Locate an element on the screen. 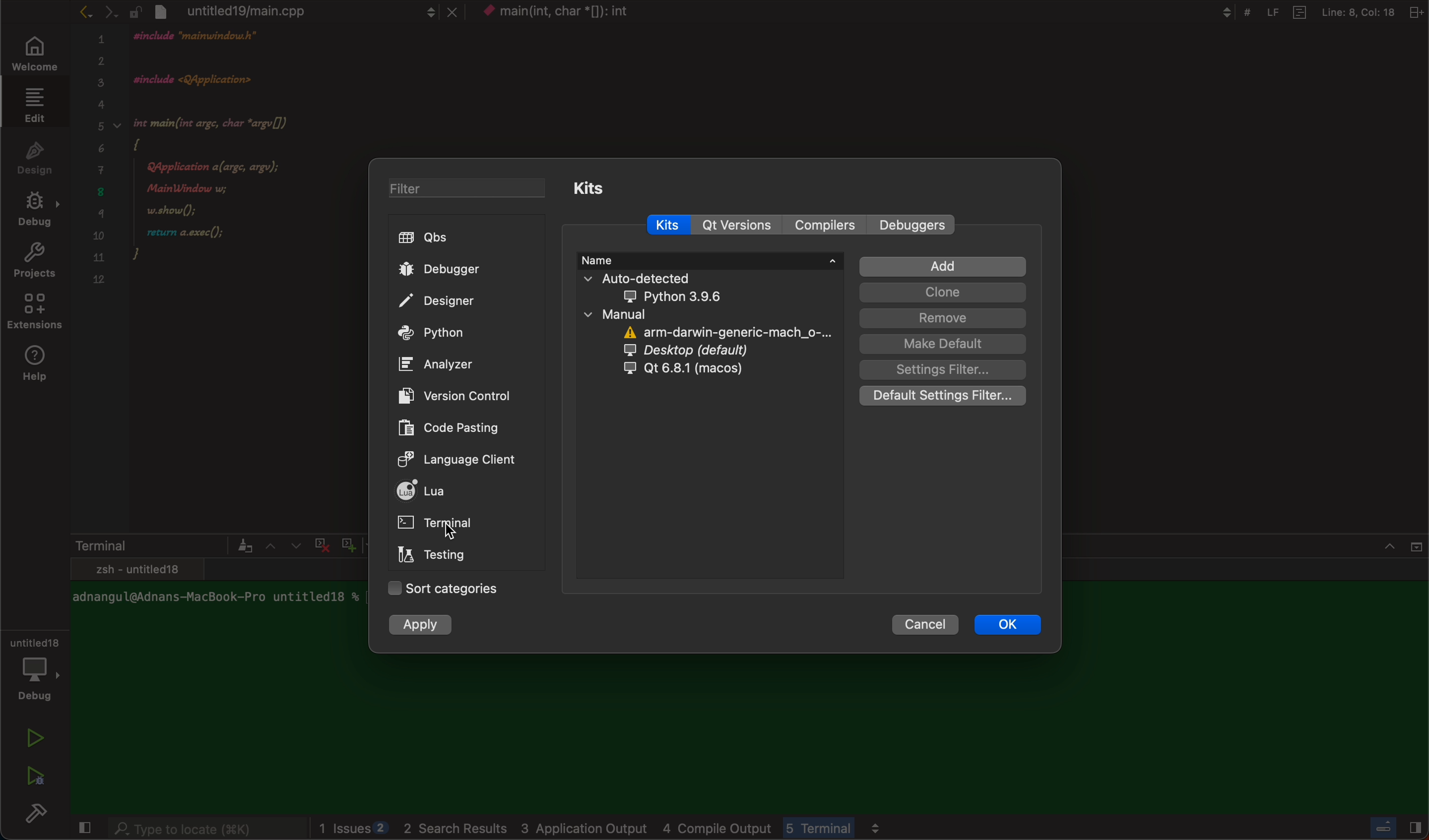  kits is located at coordinates (675, 225).